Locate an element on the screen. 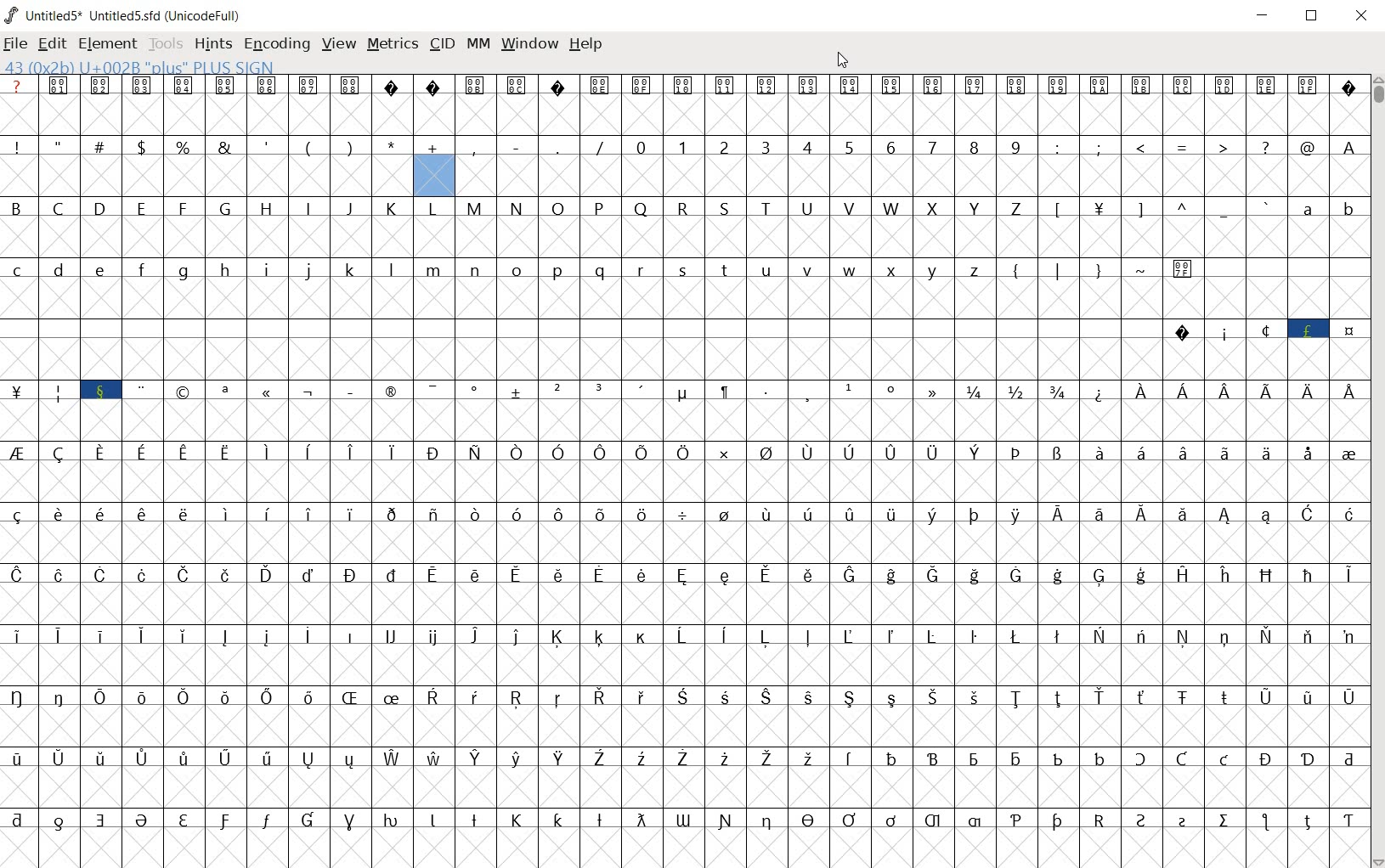  division is located at coordinates (684, 533).